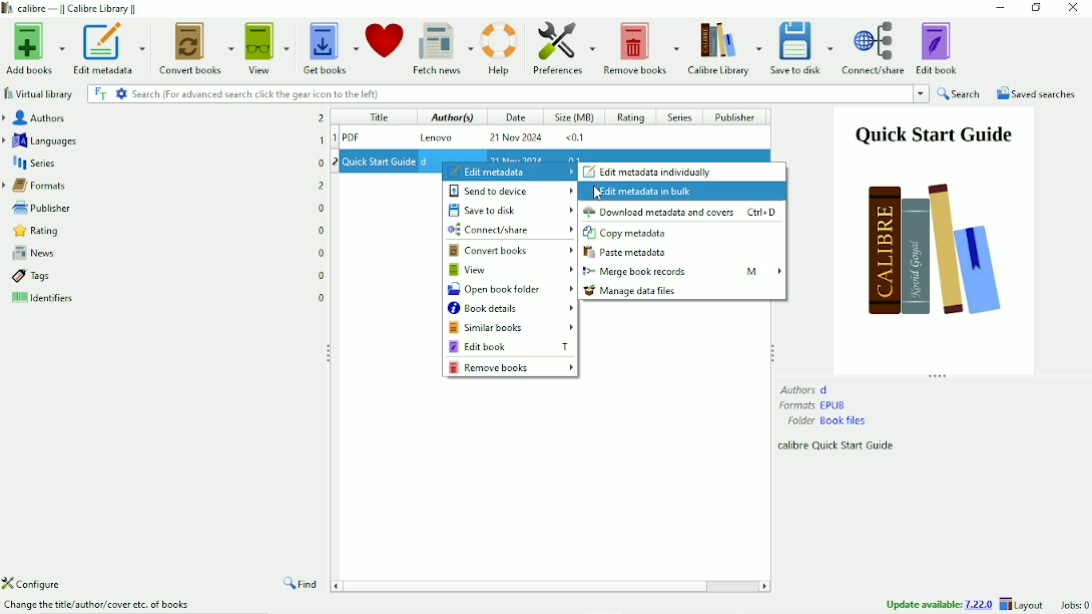 This screenshot has height=614, width=1092. What do you see at coordinates (939, 604) in the screenshot?
I see `Update available` at bounding box center [939, 604].